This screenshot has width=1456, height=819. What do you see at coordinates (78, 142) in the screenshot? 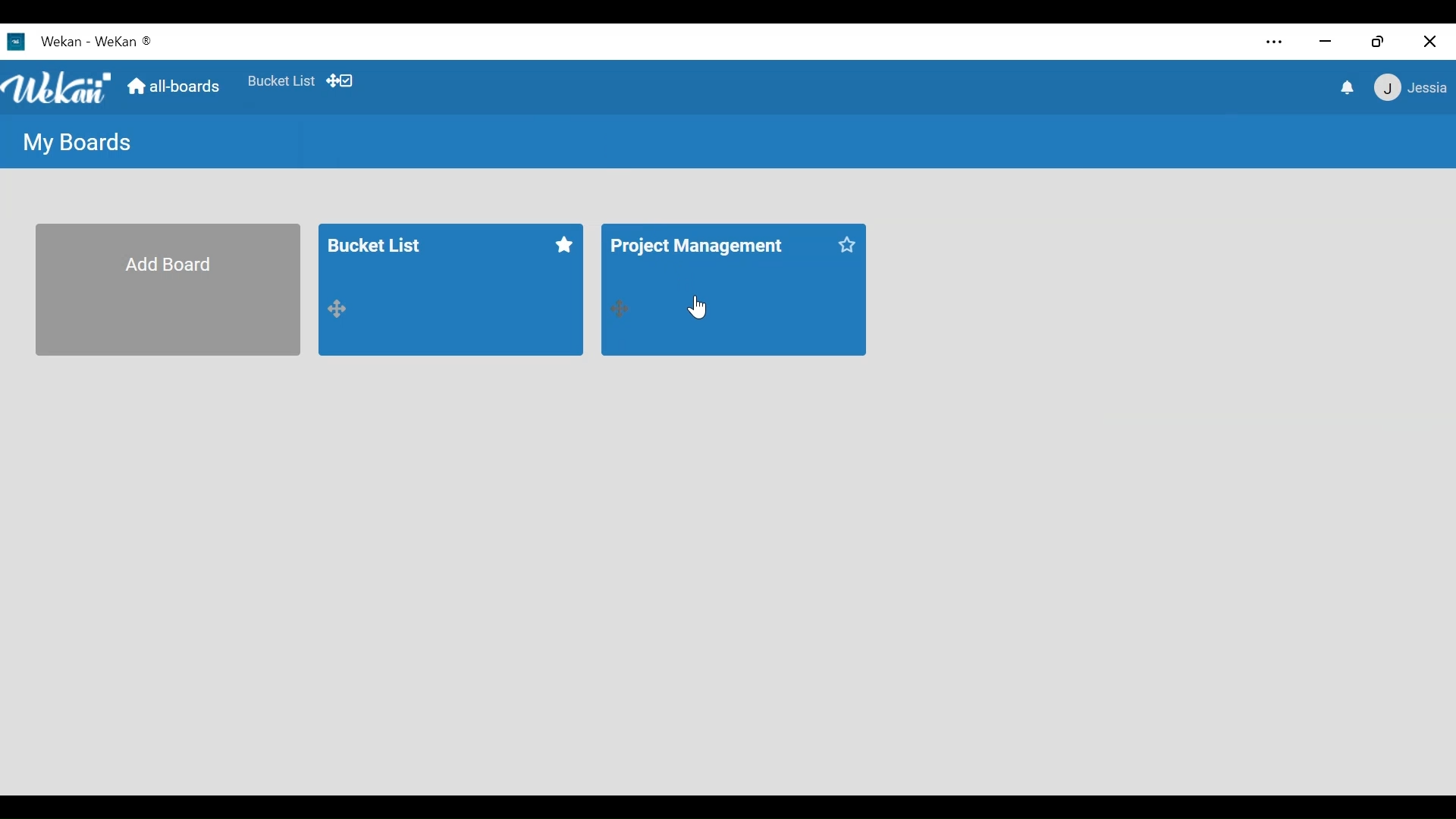
I see `My Boards` at bounding box center [78, 142].